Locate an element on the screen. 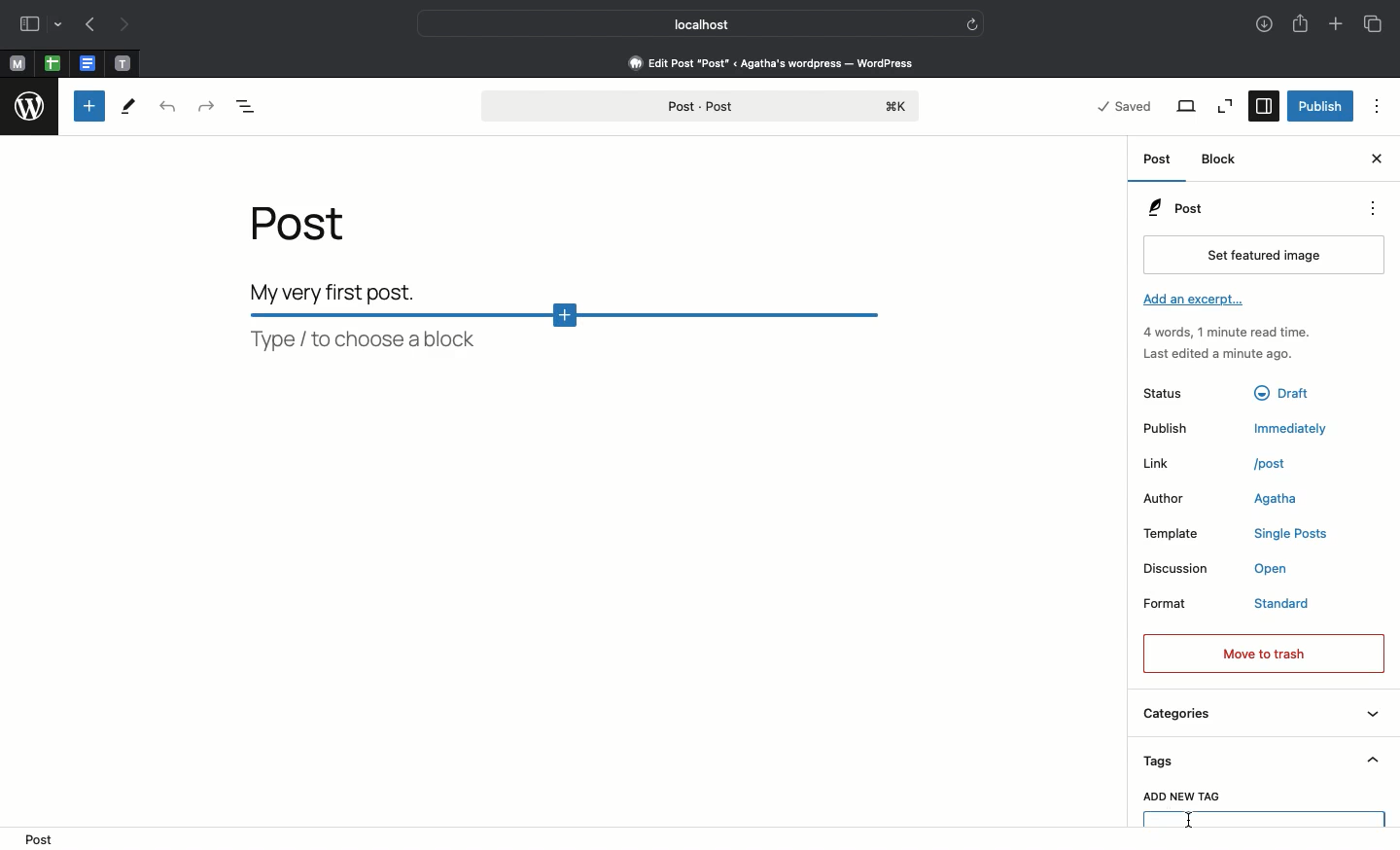  Add new tag is located at coordinates (1180, 797).